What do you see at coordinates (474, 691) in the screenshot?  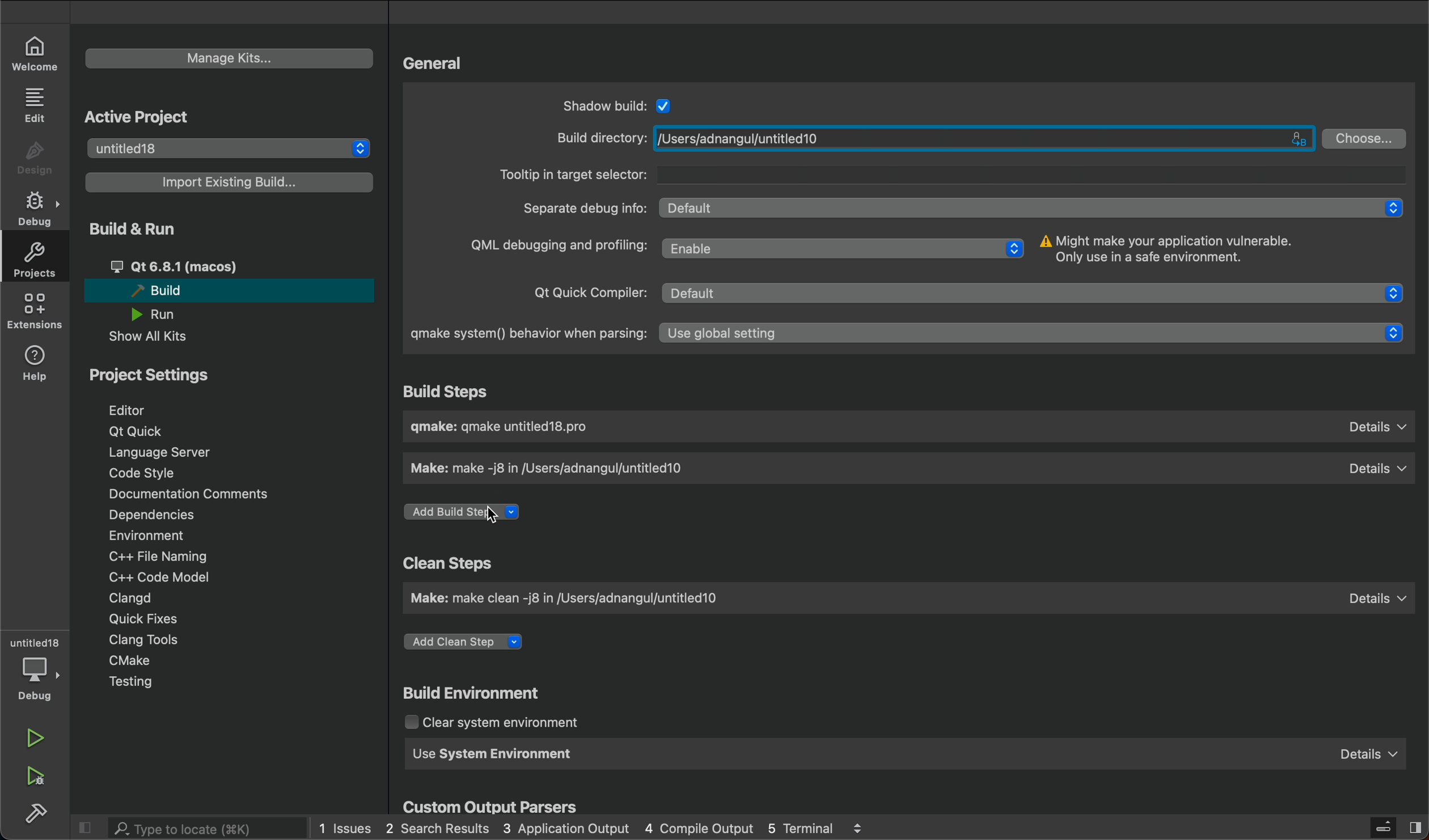 I see `Build Environment` at bounding box center [474, 691].